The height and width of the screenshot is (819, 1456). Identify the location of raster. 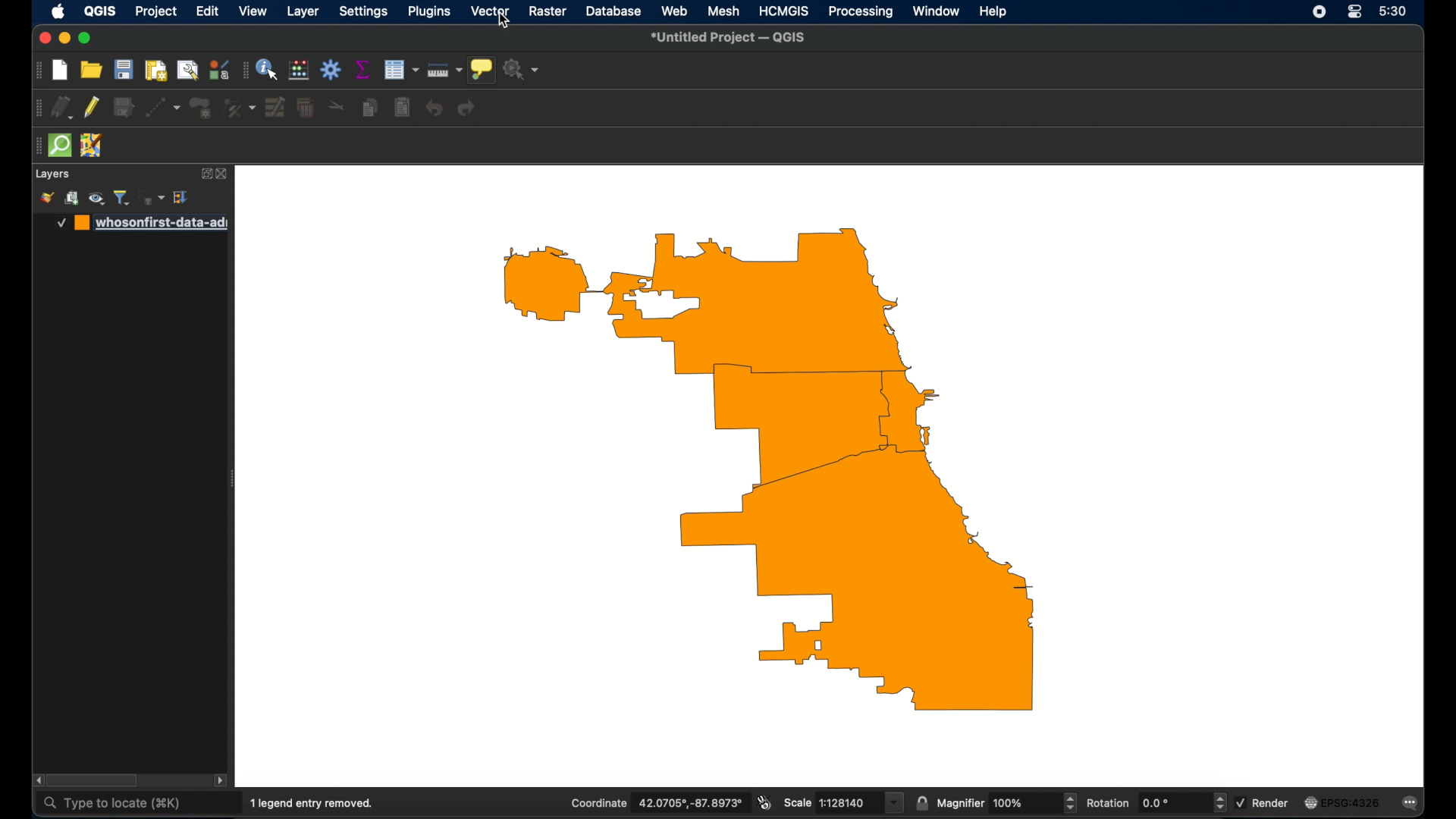
(547, 11).